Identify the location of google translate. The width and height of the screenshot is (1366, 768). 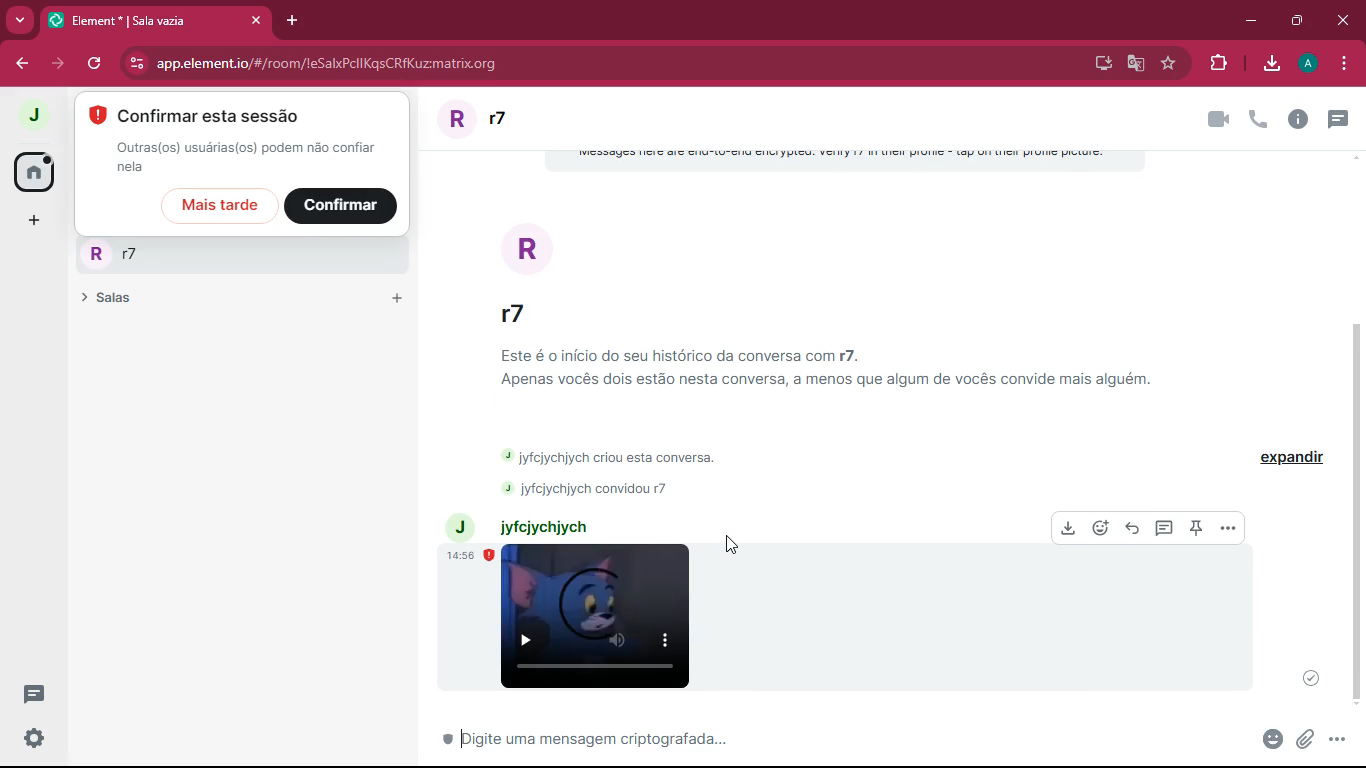
(1135, 64).